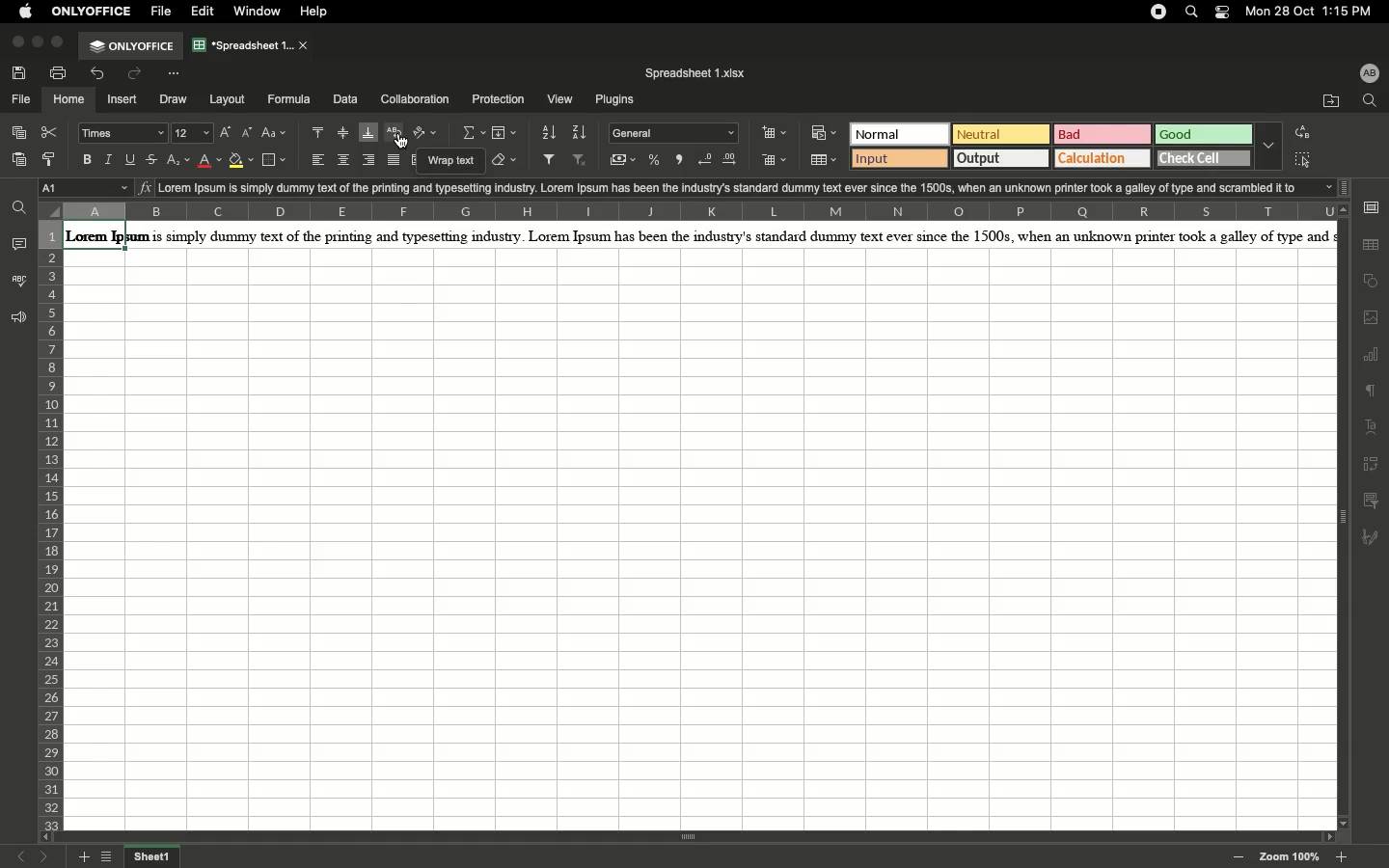 The height and width of the screenshot is (868, 1389). Describe the element at coordinates (681, 160) in the screenshot. I see `Comma style` at that location.